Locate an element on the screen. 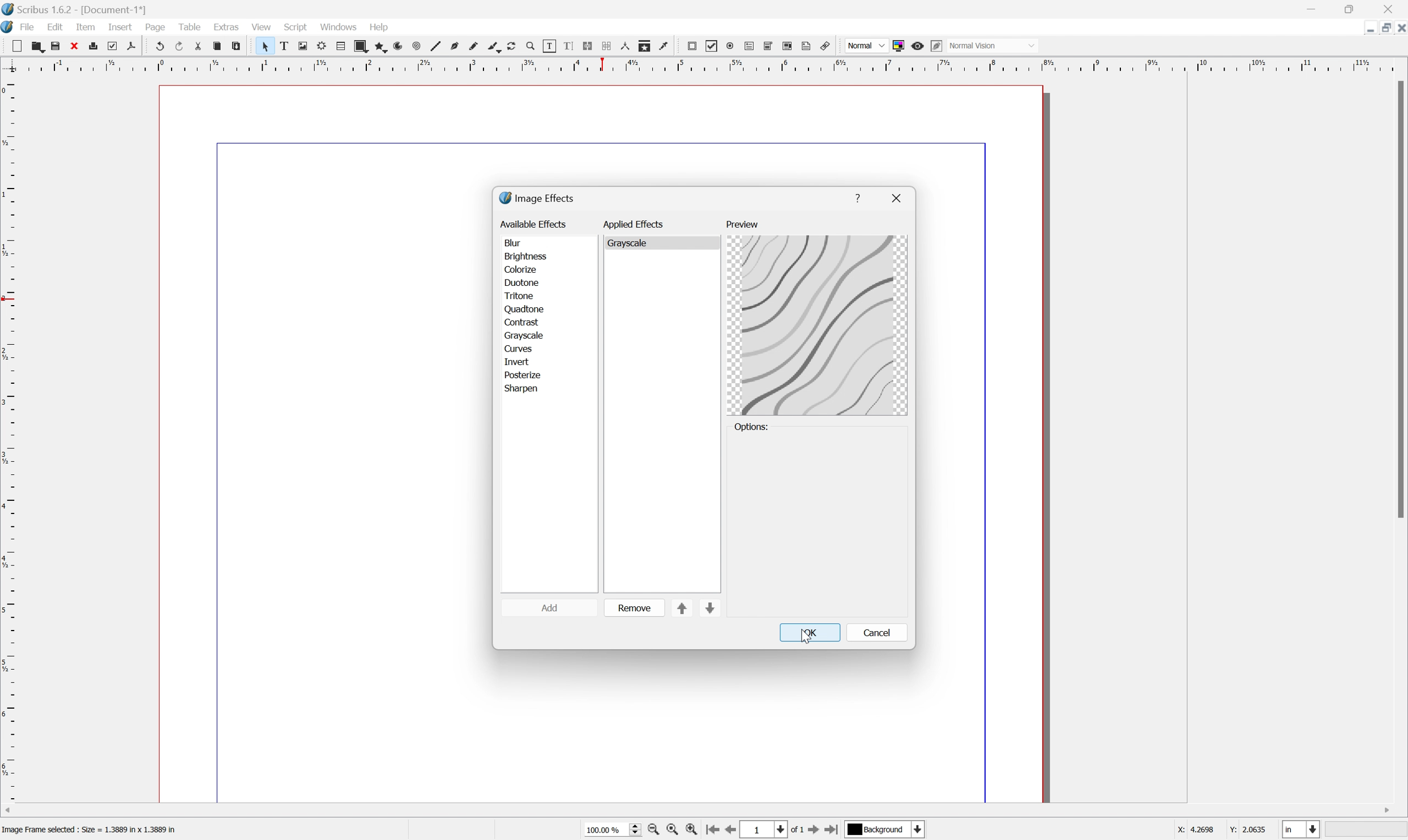 Image resolution: width=1408 pixels, height=840 pixels. Page is located at coordinates (154, 27).